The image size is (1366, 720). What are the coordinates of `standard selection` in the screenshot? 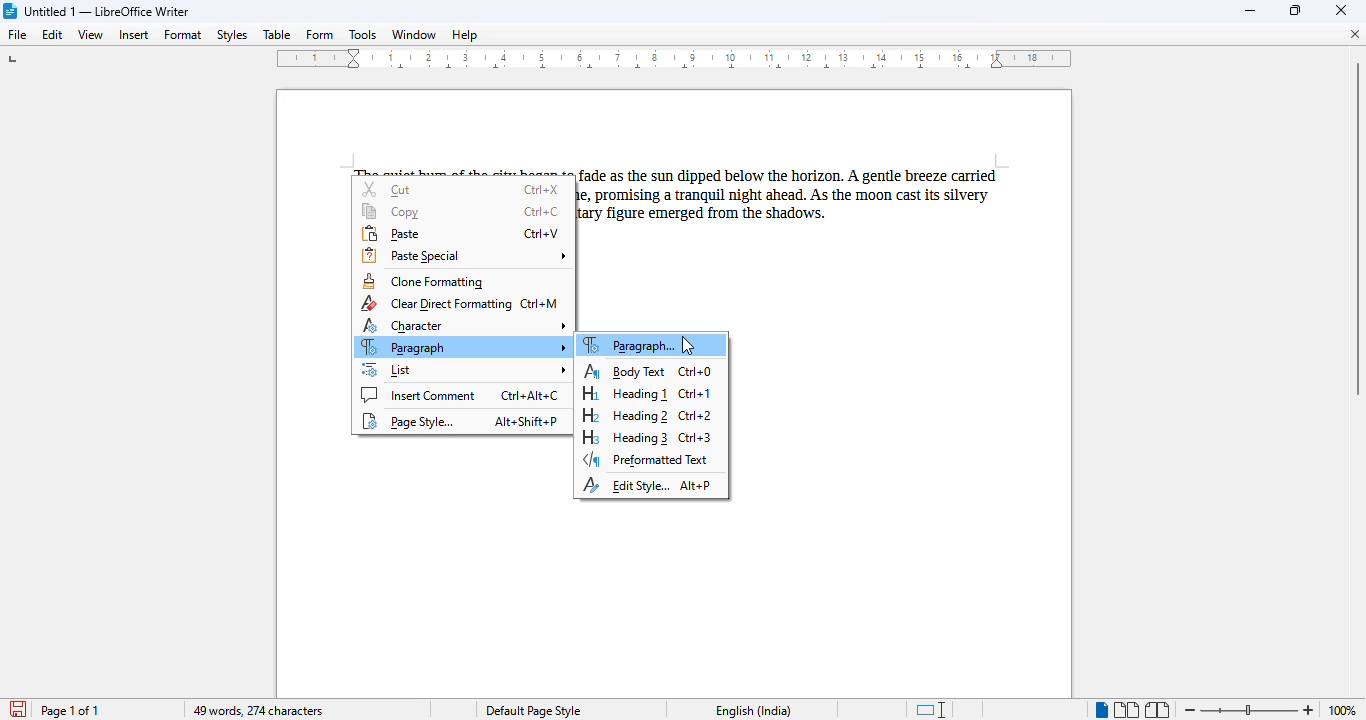 It's located at (931, 709).